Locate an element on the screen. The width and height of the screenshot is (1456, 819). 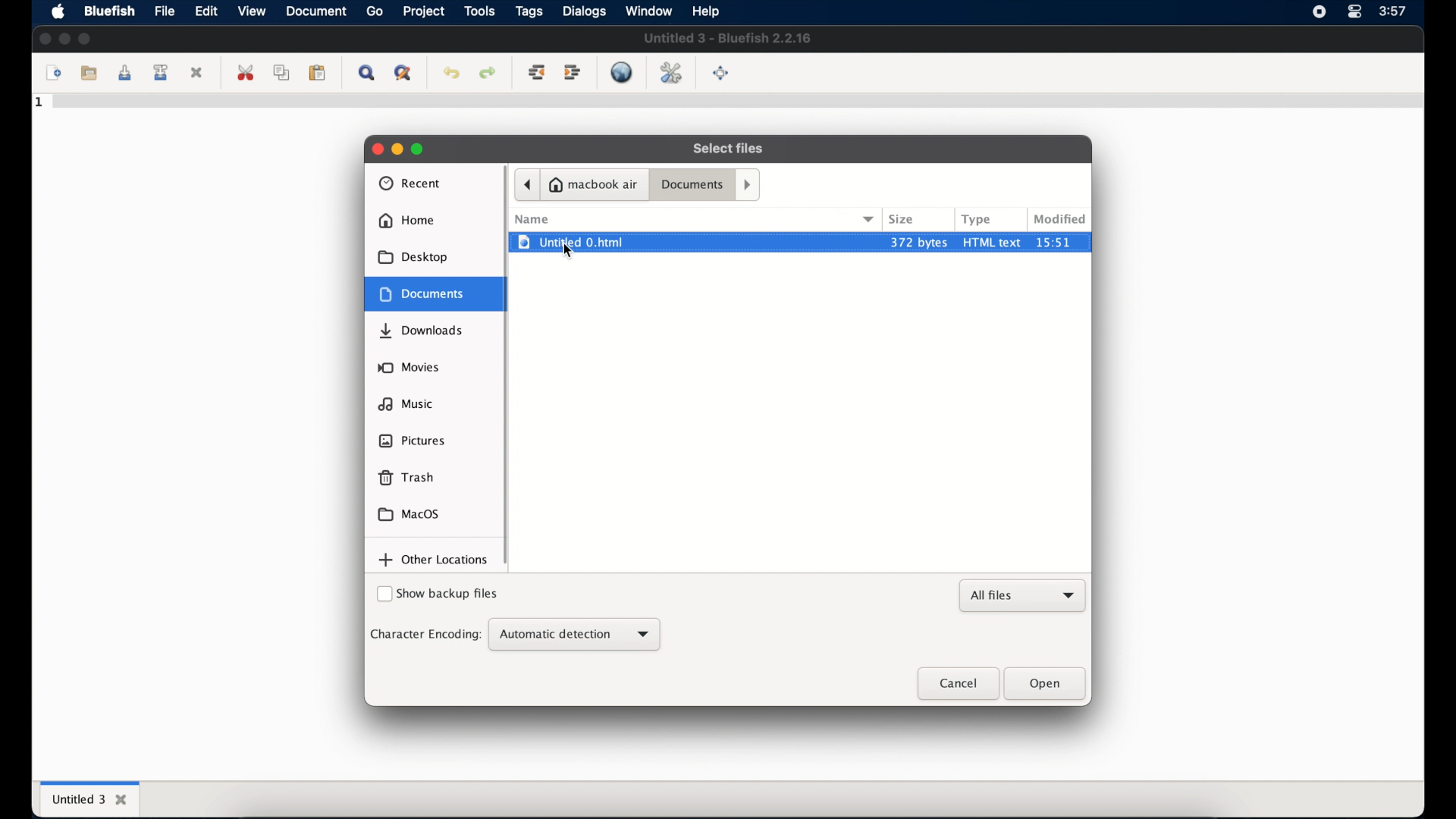
dialogs is located at coordinates (584, 11).